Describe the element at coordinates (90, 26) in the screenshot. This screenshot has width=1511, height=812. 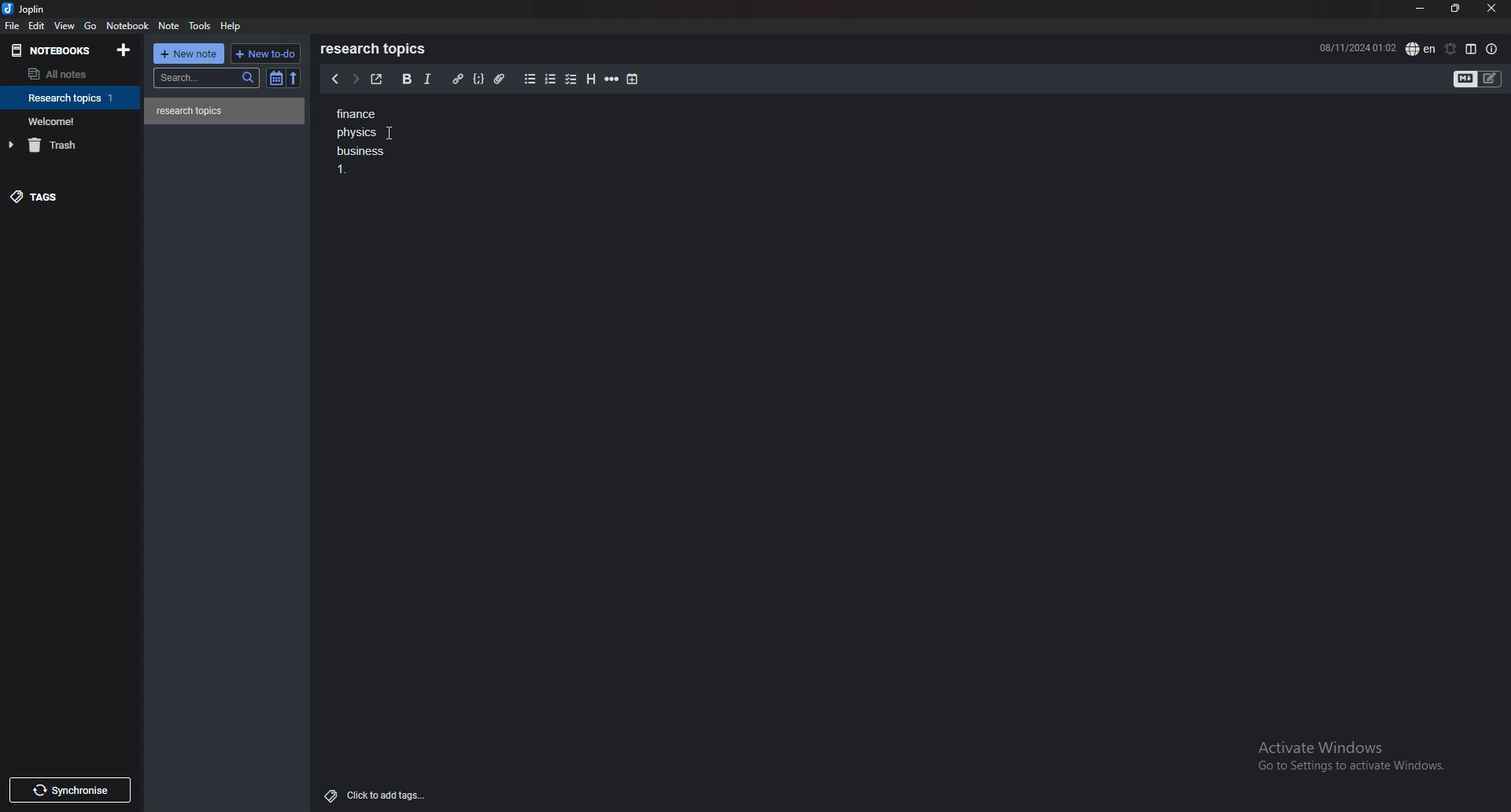
I see `go` at that location.